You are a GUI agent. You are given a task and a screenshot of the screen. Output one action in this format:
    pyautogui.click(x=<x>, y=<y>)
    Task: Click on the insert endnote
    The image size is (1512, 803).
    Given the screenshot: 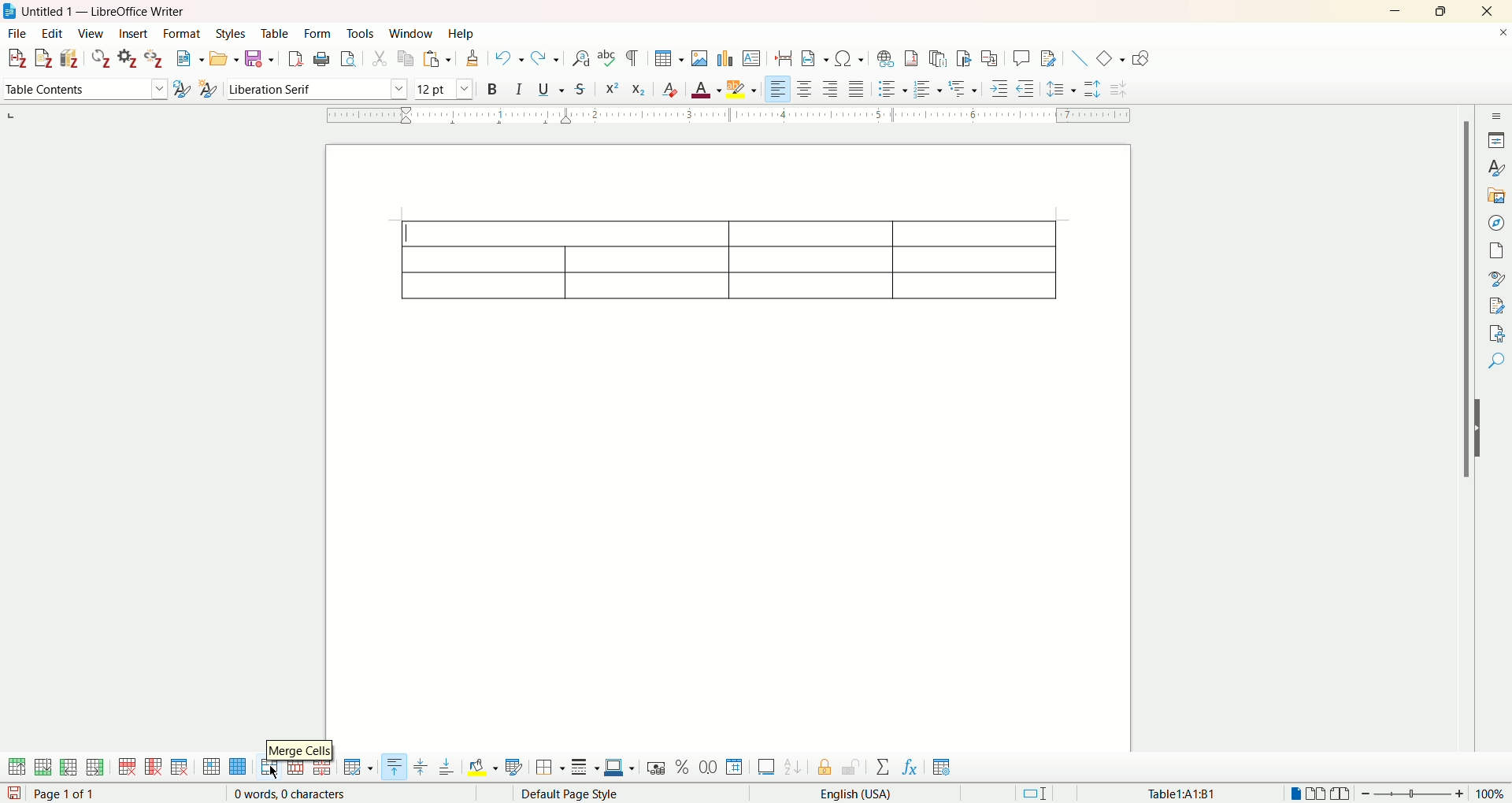 What is the action you would take?
    pyautogui.click(x=942, y=59)
    